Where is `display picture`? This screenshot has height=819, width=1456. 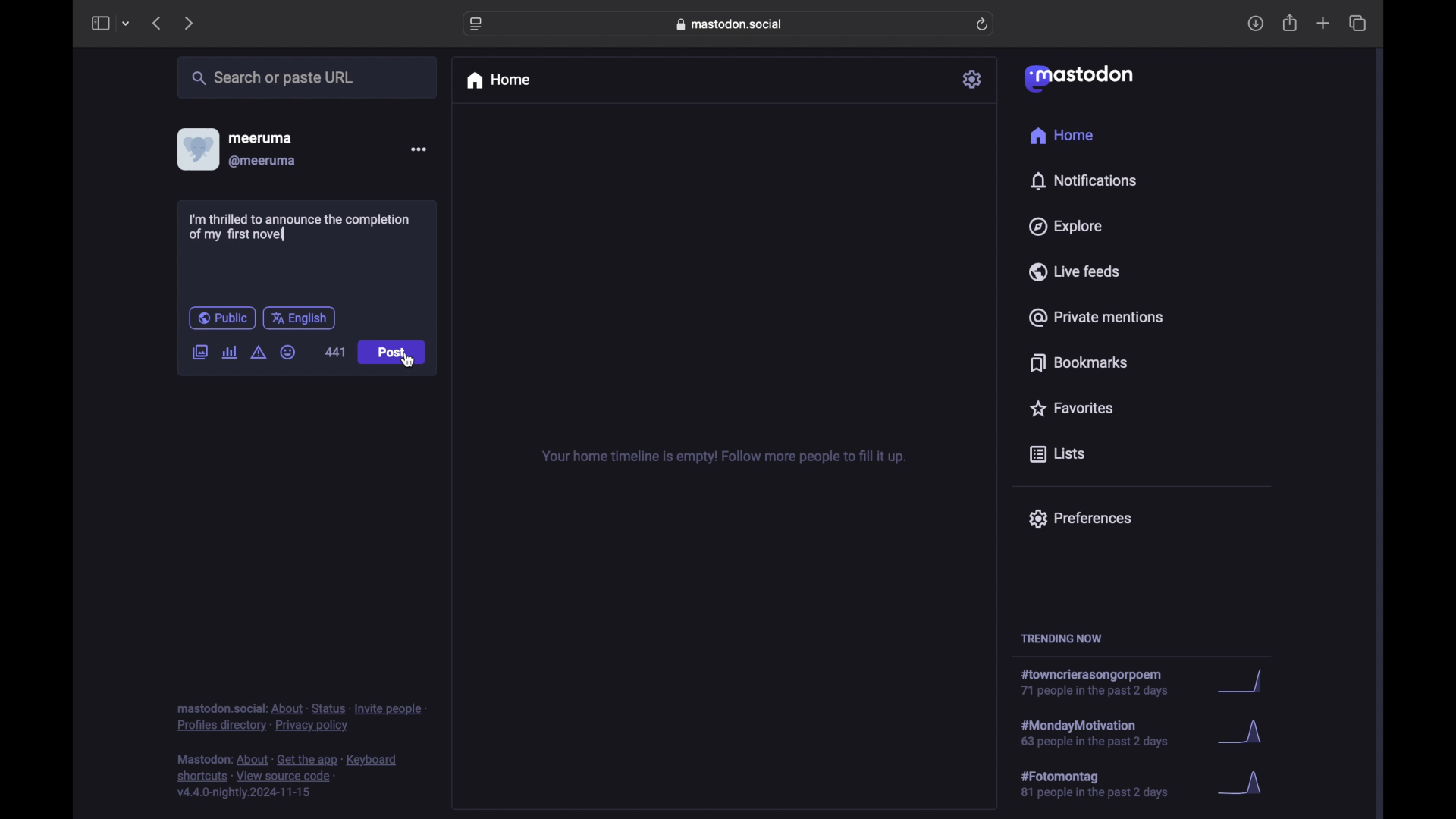
display picture is located at coordinates (196, 149).